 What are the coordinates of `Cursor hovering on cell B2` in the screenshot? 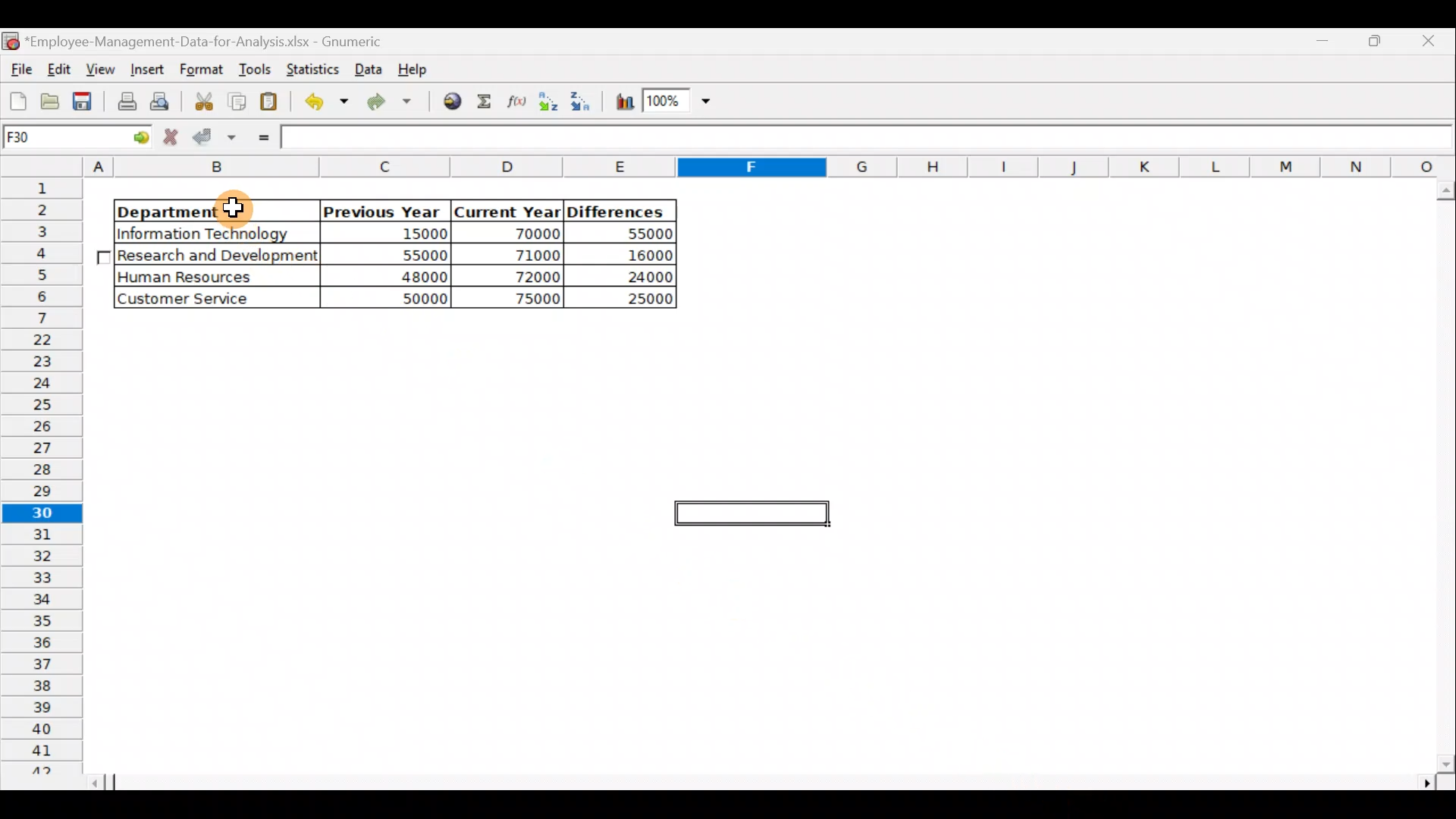 It's located at (231, 205).